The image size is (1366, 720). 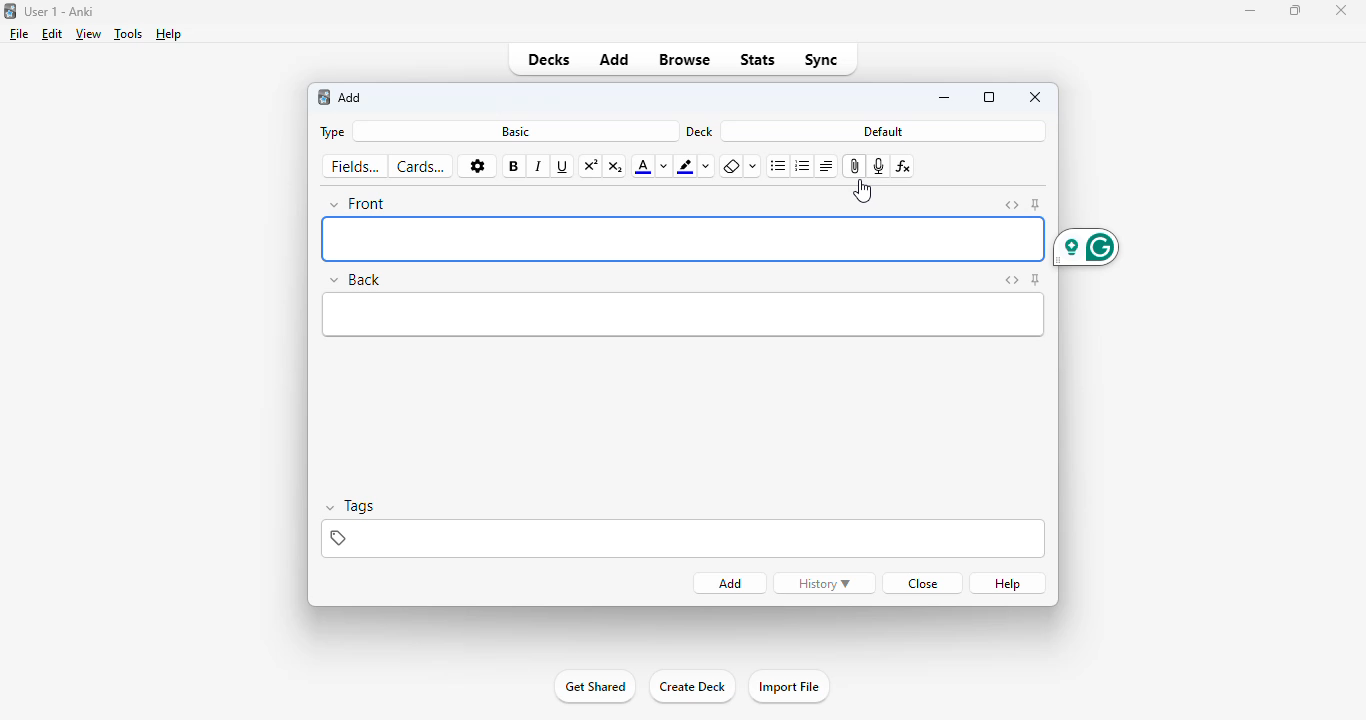 I want to click on select formatting to remove, so click(x=753, y=167).